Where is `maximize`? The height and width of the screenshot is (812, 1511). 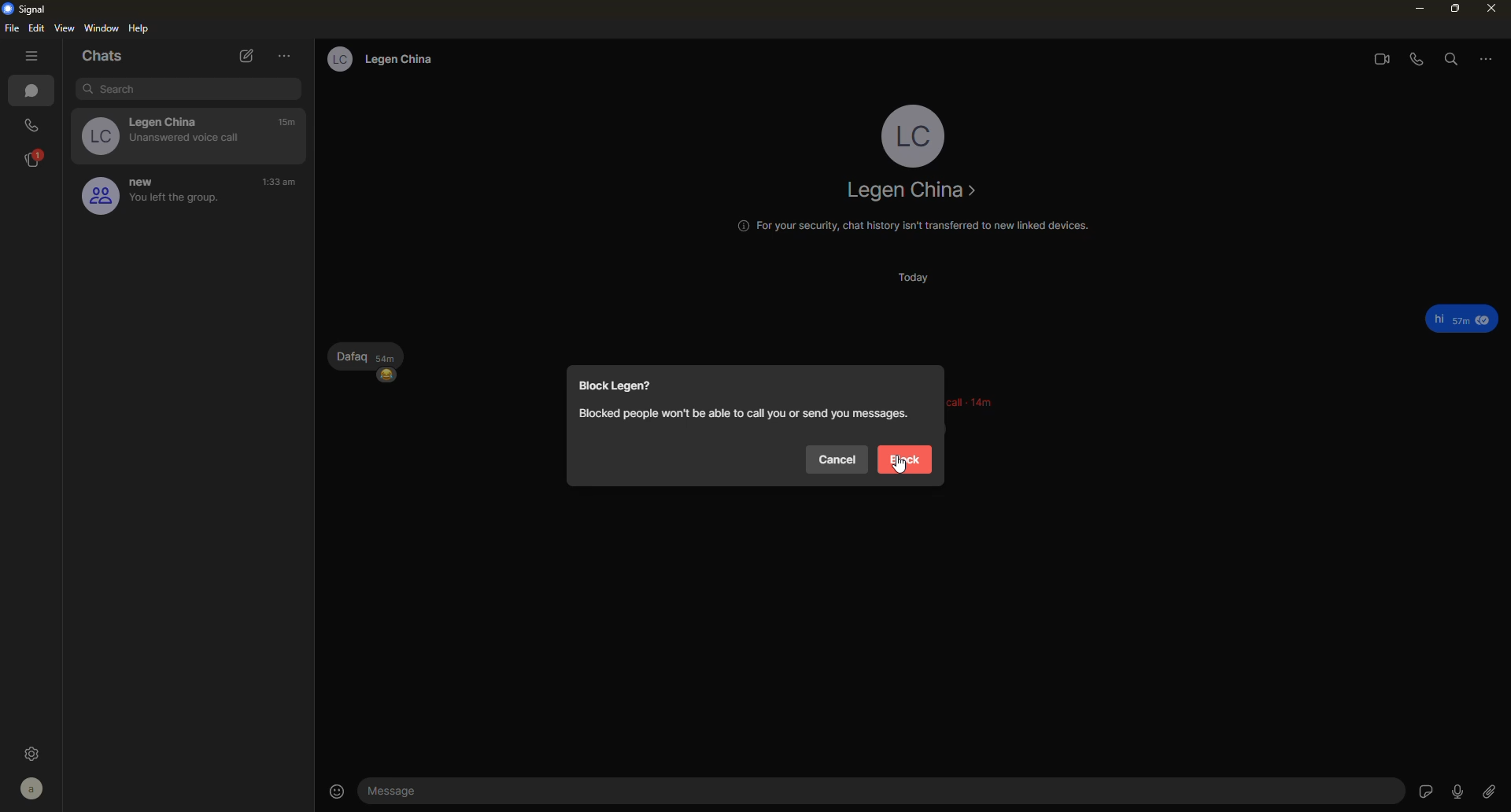
maximize is located at coordinates (1450, 9).